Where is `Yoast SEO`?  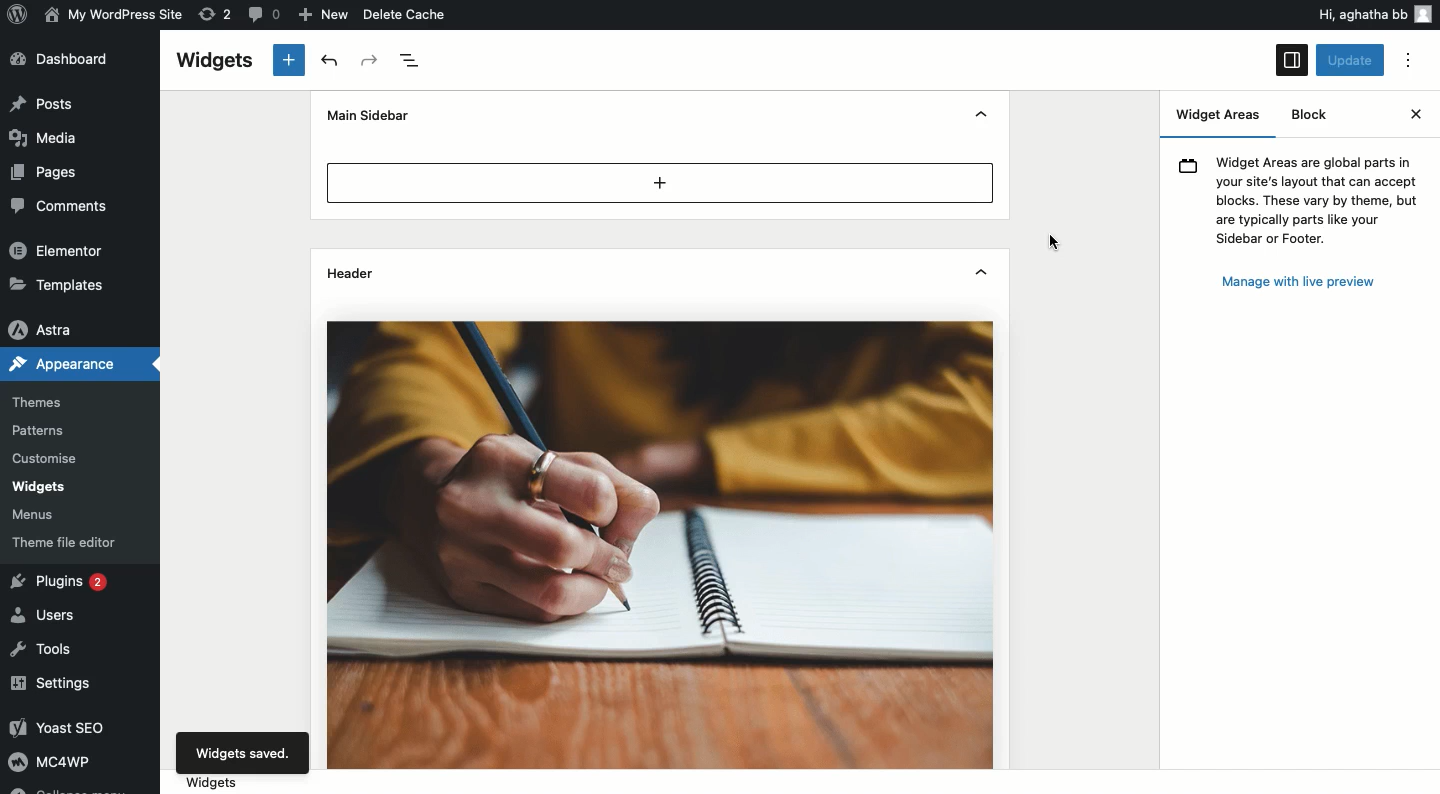
Yoast SEO is located at coordinates (67, 727).